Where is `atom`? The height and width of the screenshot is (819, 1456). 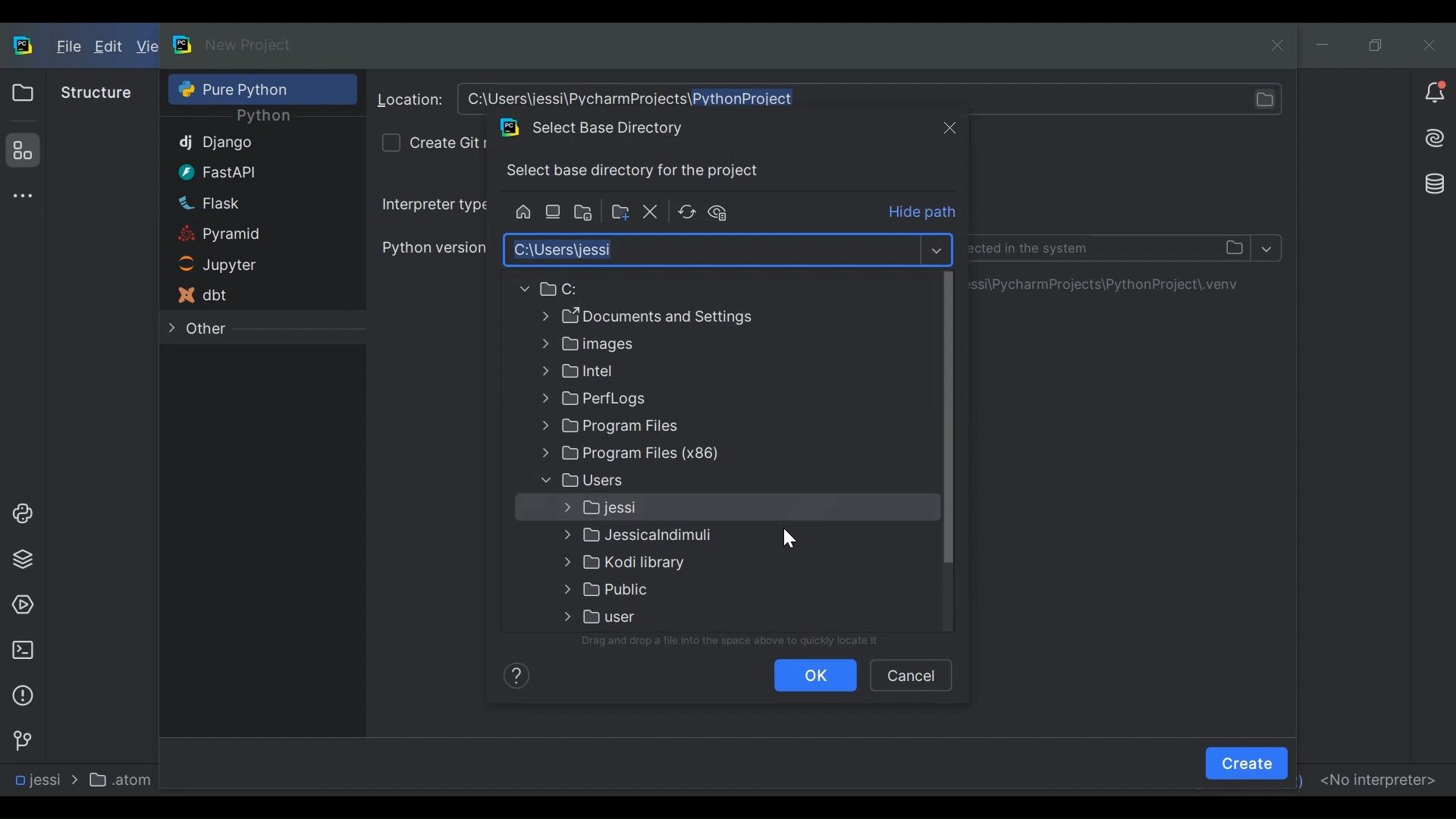 atom is located at coordinates (124, 779).